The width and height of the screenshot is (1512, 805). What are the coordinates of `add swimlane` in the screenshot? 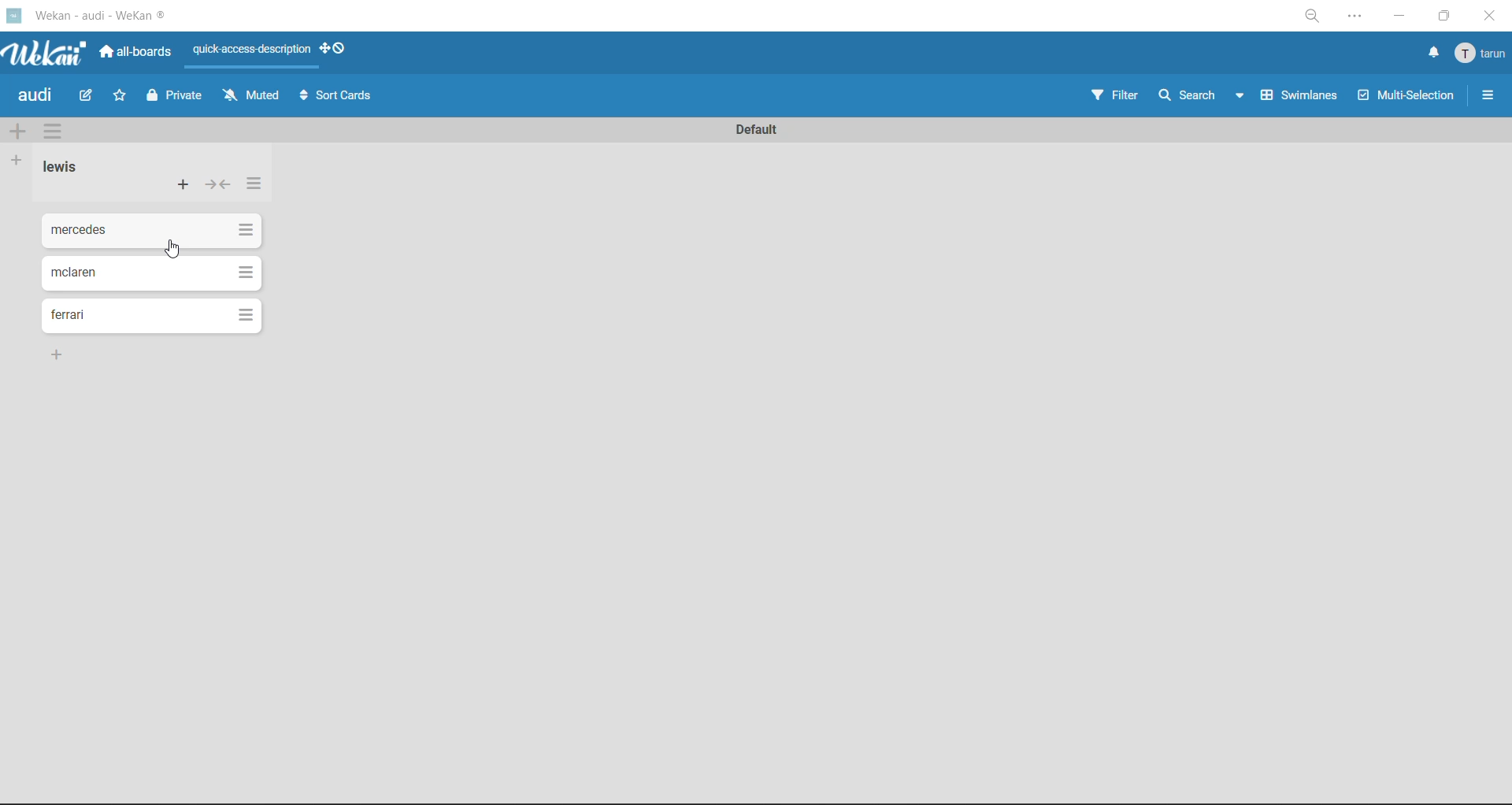 It's located at (17, 132).